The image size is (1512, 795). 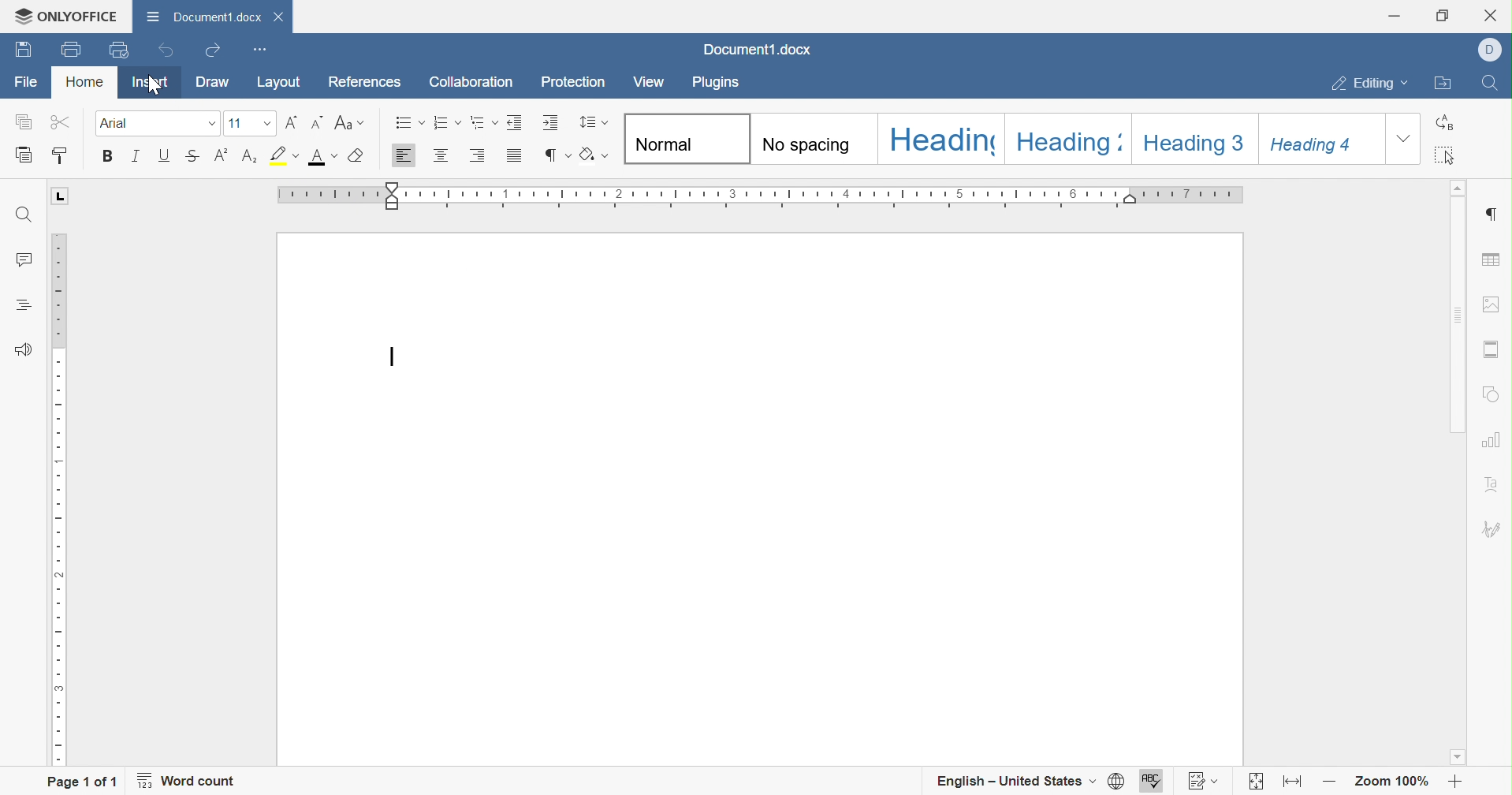 What do you see at coordinates (1496, 529) in the screenshot?
I see `Signature settings` at bounding box center [1496, 529].